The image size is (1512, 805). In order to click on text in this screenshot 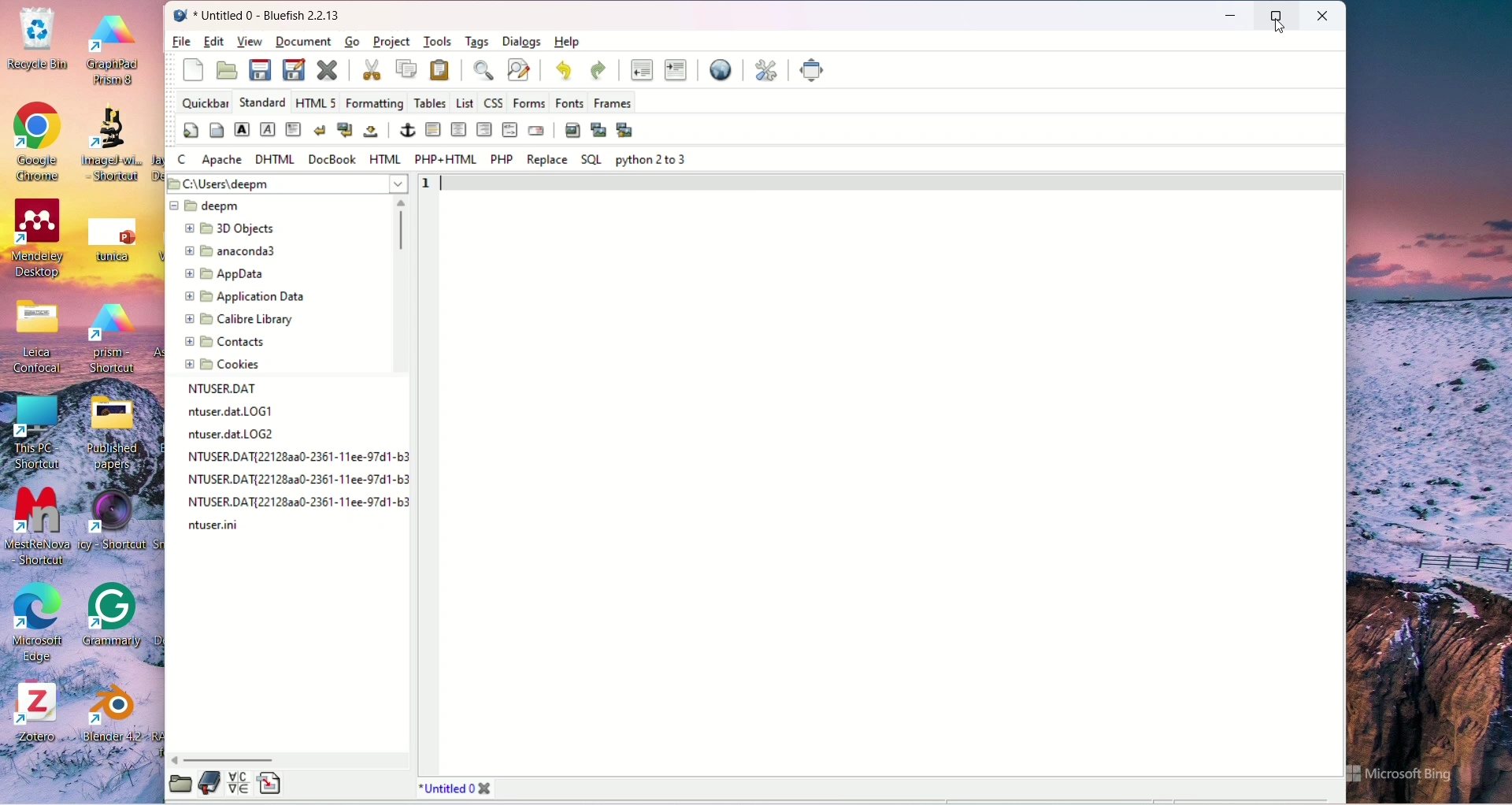, I will do `click(300, 460)`.